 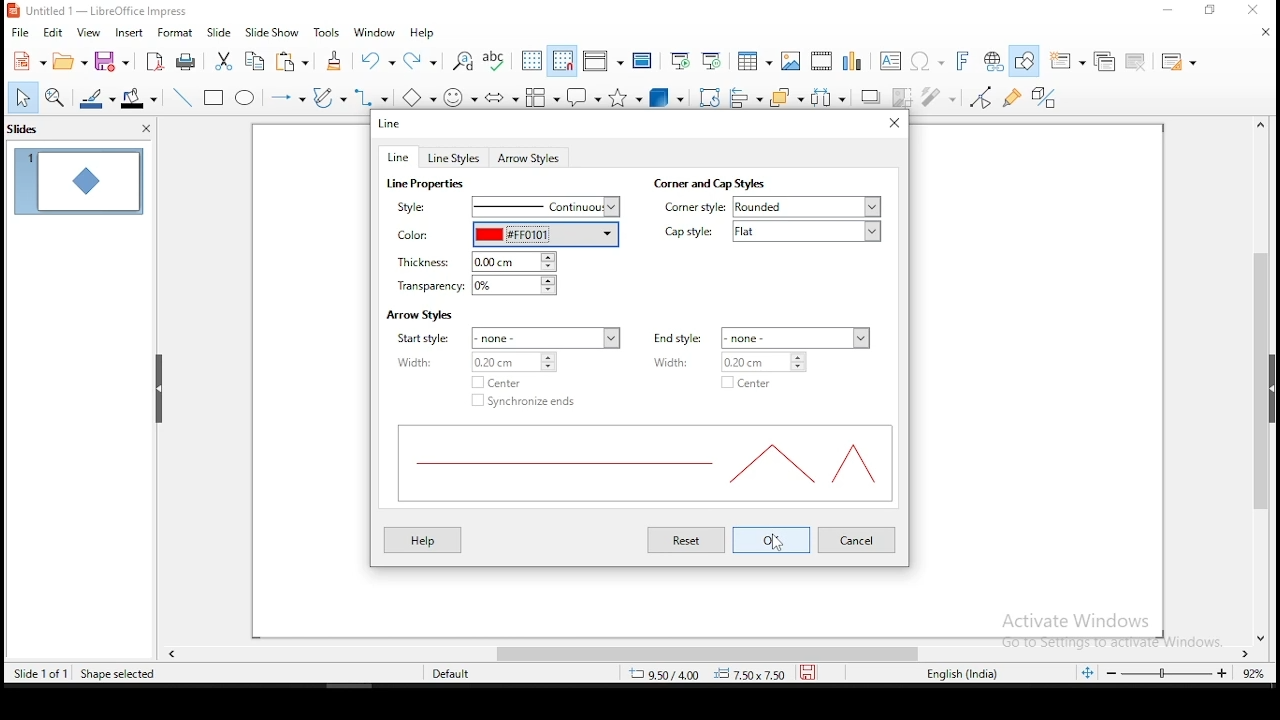 What do you see at coordinates (339, 64) in the screenshot?
I see `clone formatting` at bounding box center [339, 64].